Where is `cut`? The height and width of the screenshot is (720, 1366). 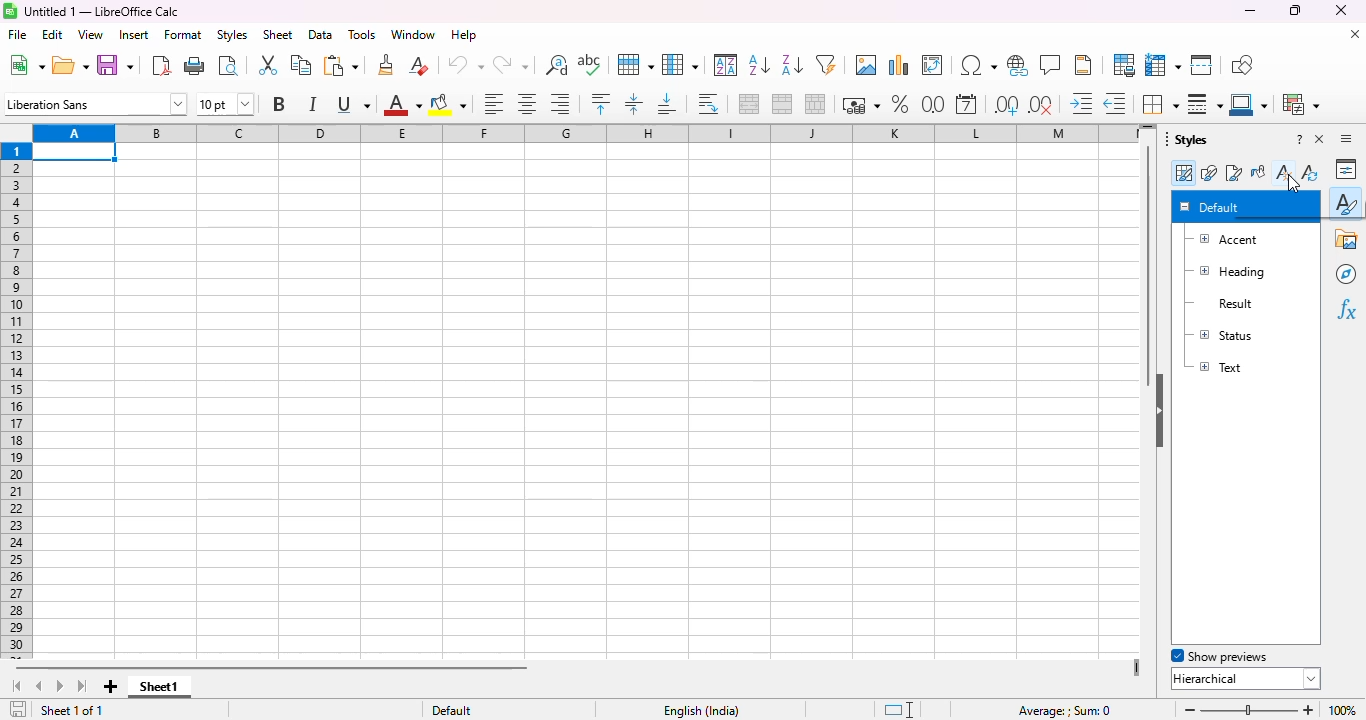 cut is located at coordinates (267, 65).